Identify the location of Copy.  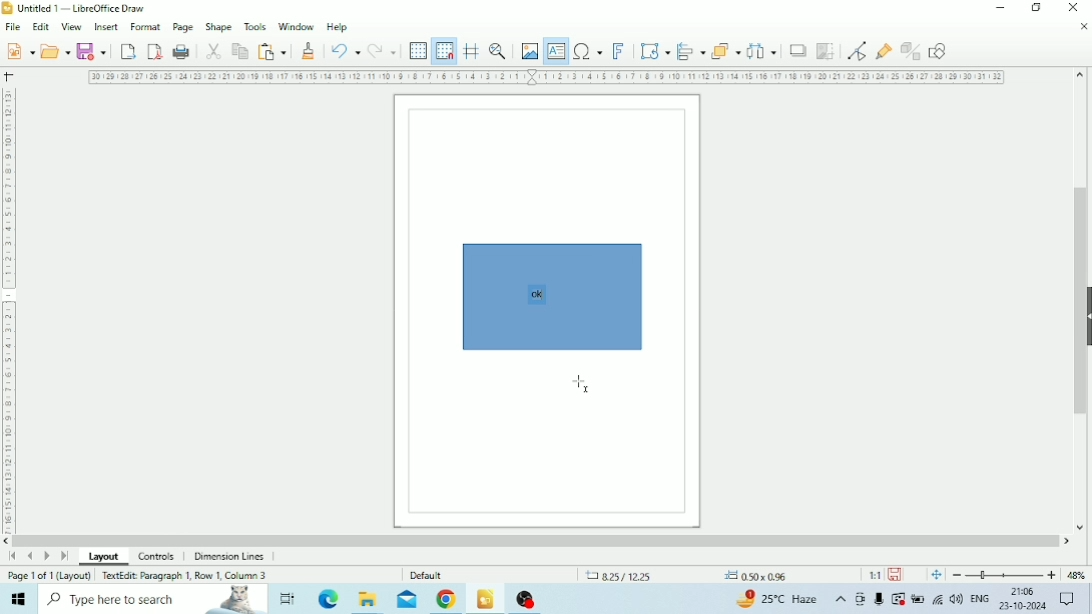
(240, 51).